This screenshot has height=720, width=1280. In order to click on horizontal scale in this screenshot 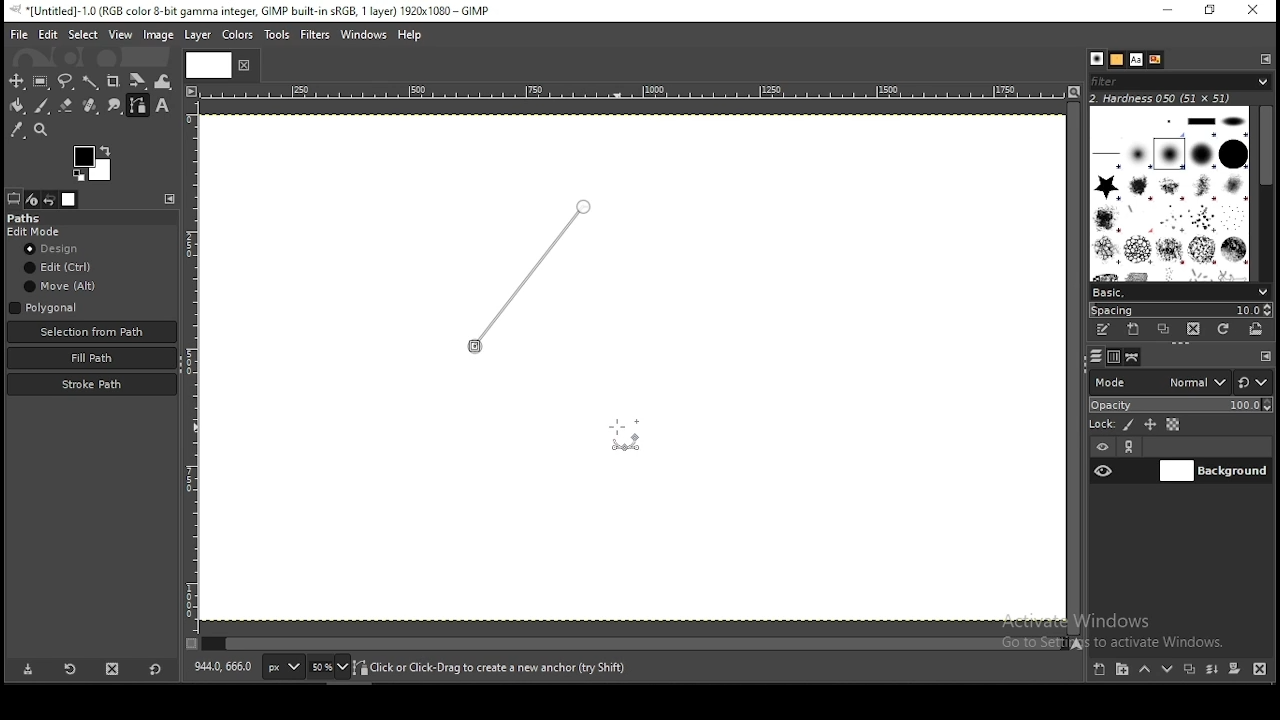, I will do `click(631, 94)`.